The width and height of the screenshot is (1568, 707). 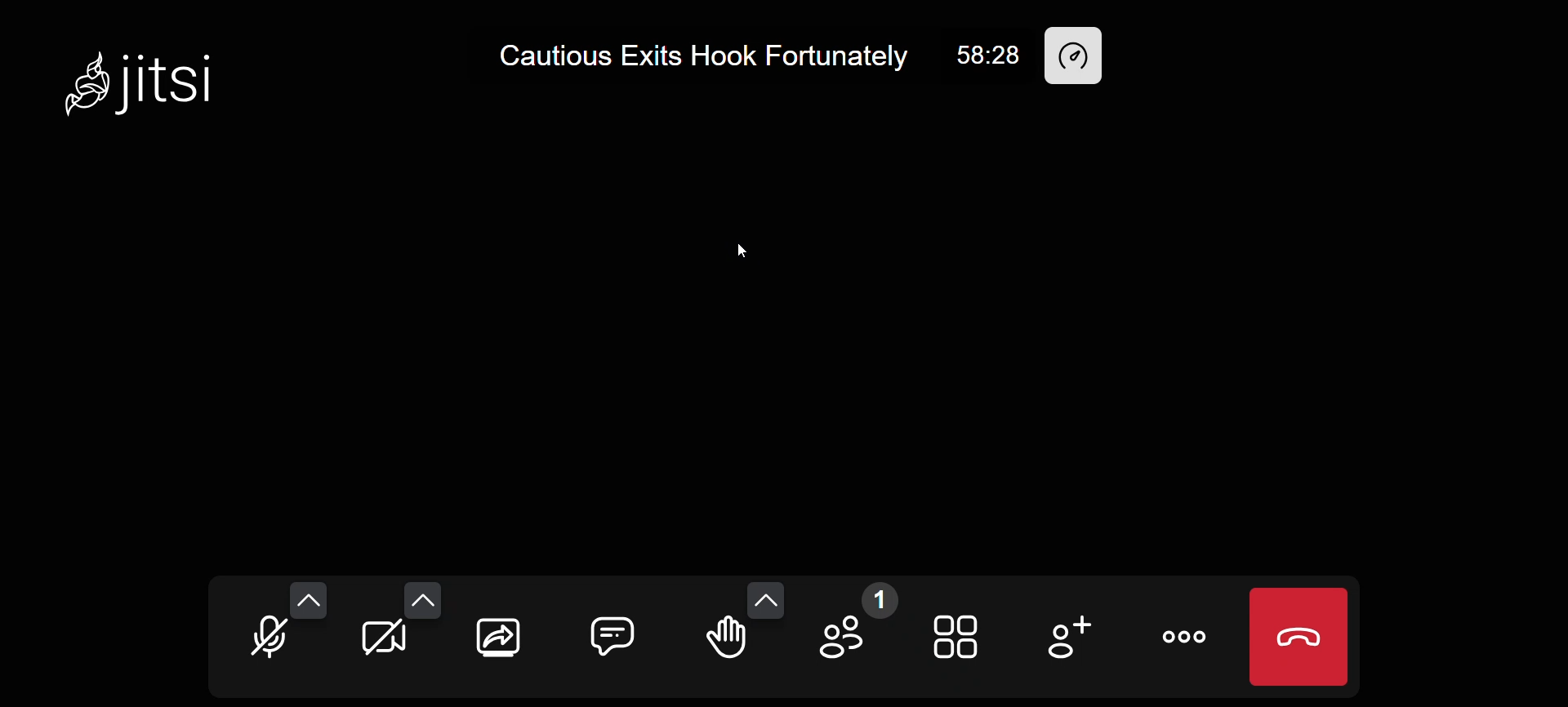 I want to click on more camera option, so click(x=421, y=599).